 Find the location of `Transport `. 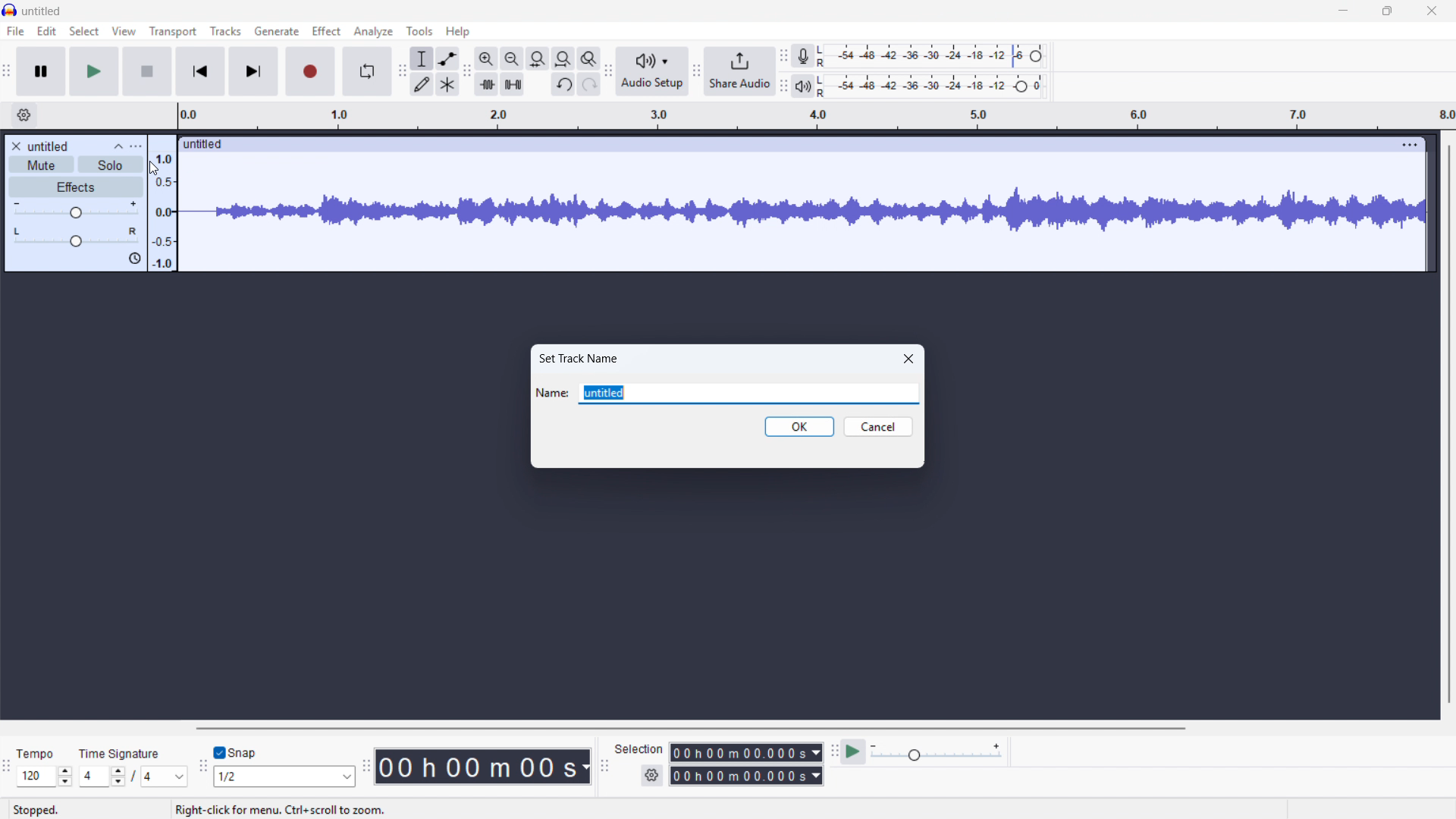

Transport  is located at coordinates (172, 32).